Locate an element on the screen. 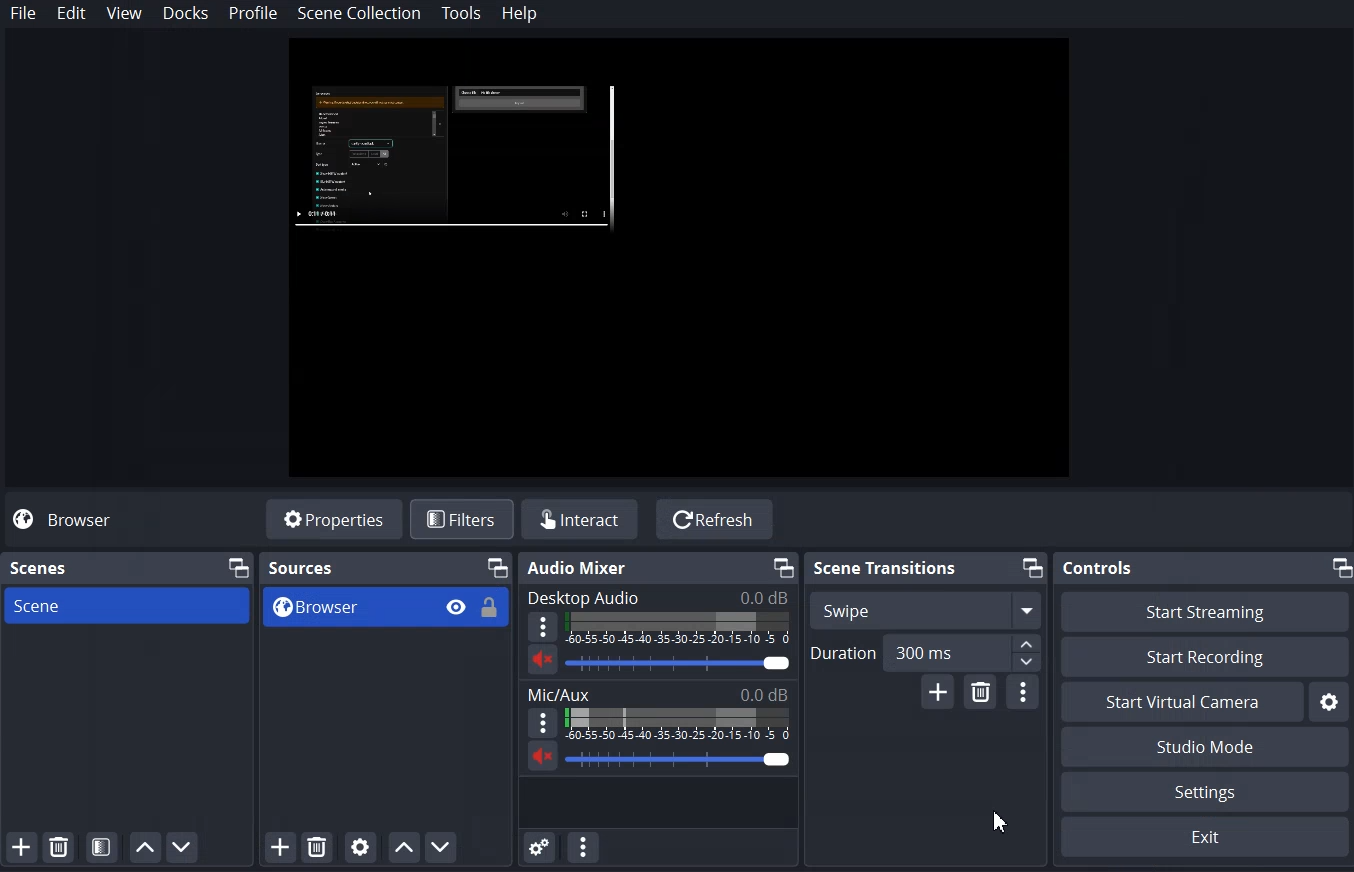 This screenshot has width=1354, height=872. Edit is located at coordinates (73, 13).